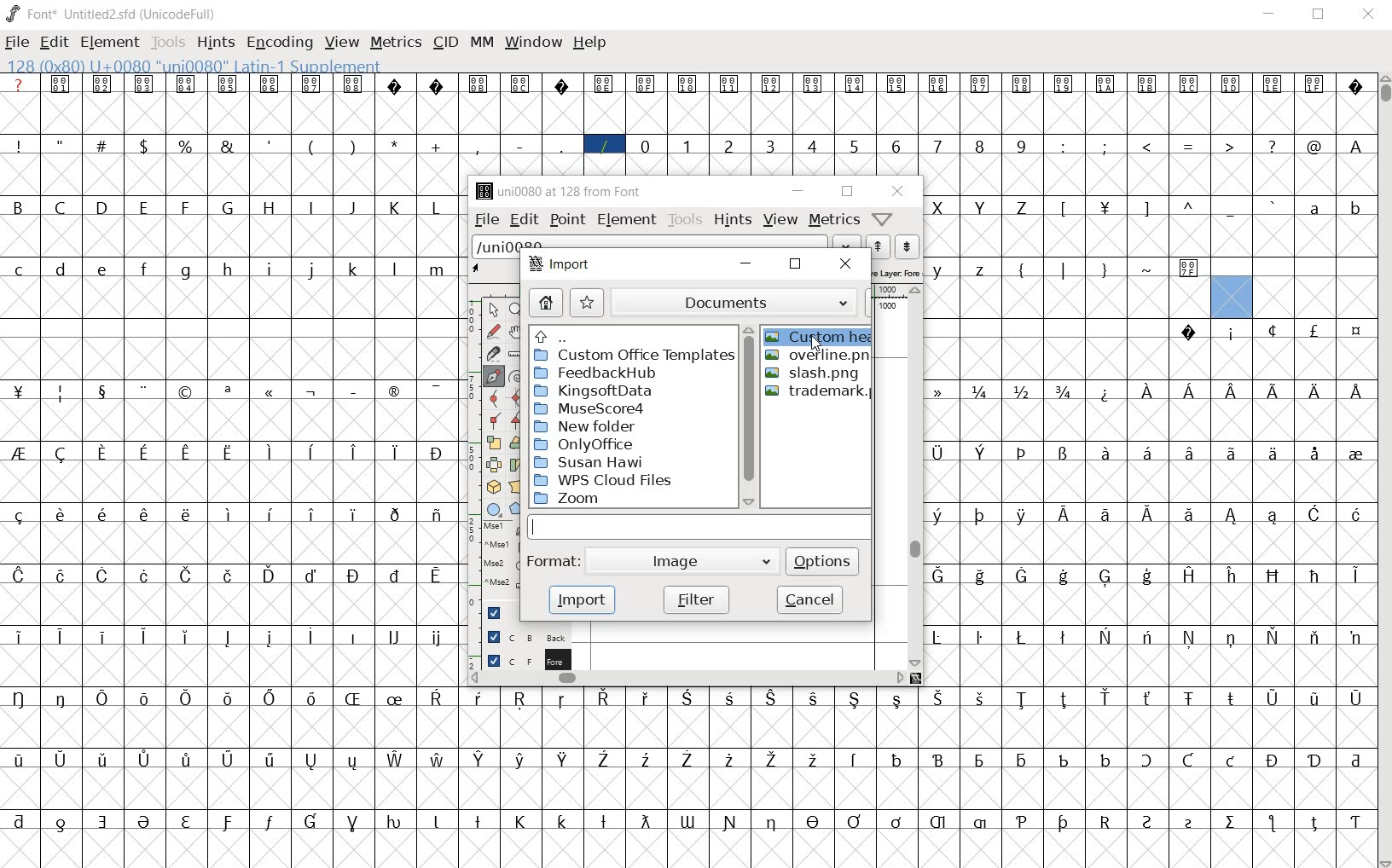  I want to click on glyph, so click(228, 84).